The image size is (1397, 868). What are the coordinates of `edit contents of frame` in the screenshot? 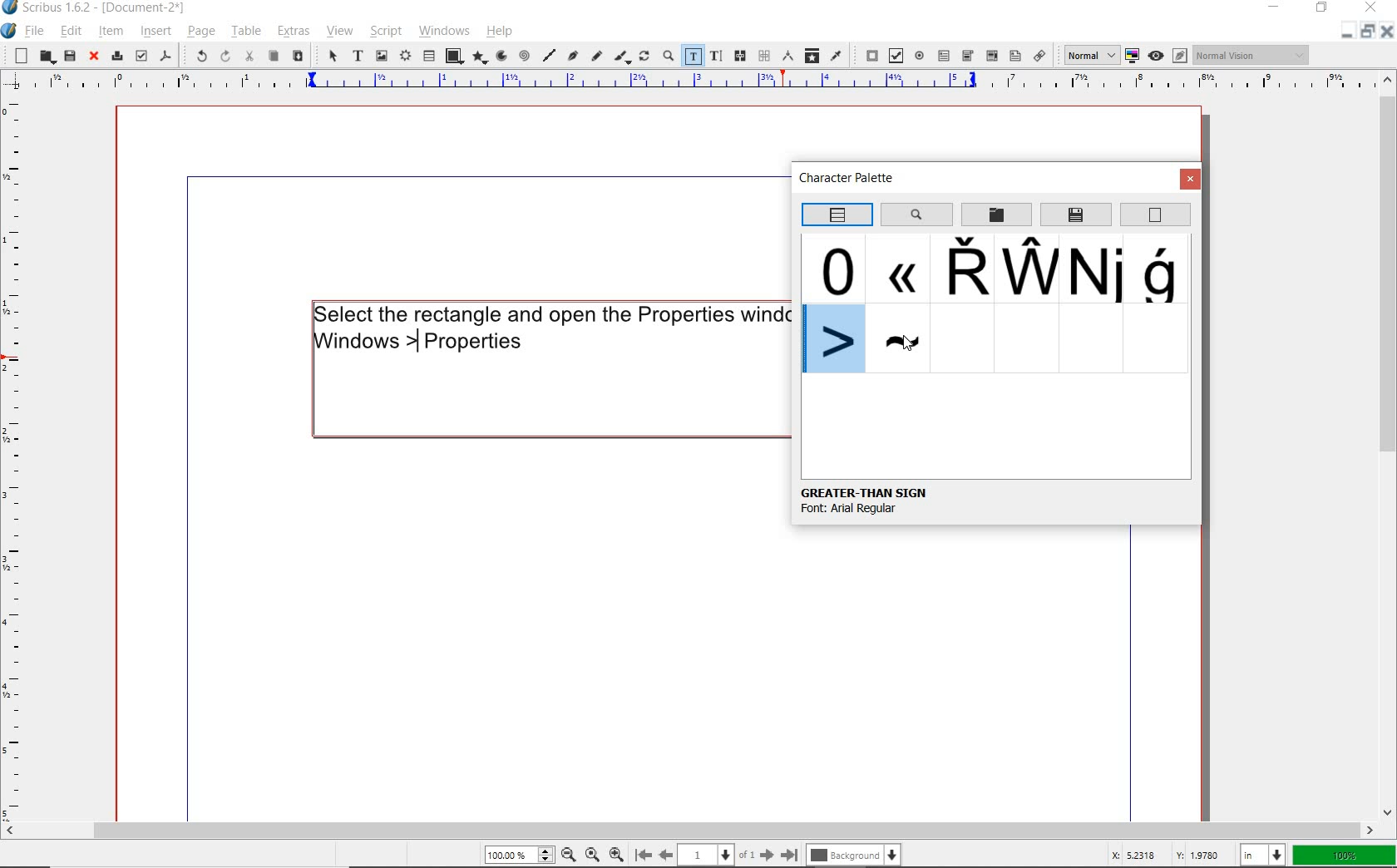 It's located at (692, 55).